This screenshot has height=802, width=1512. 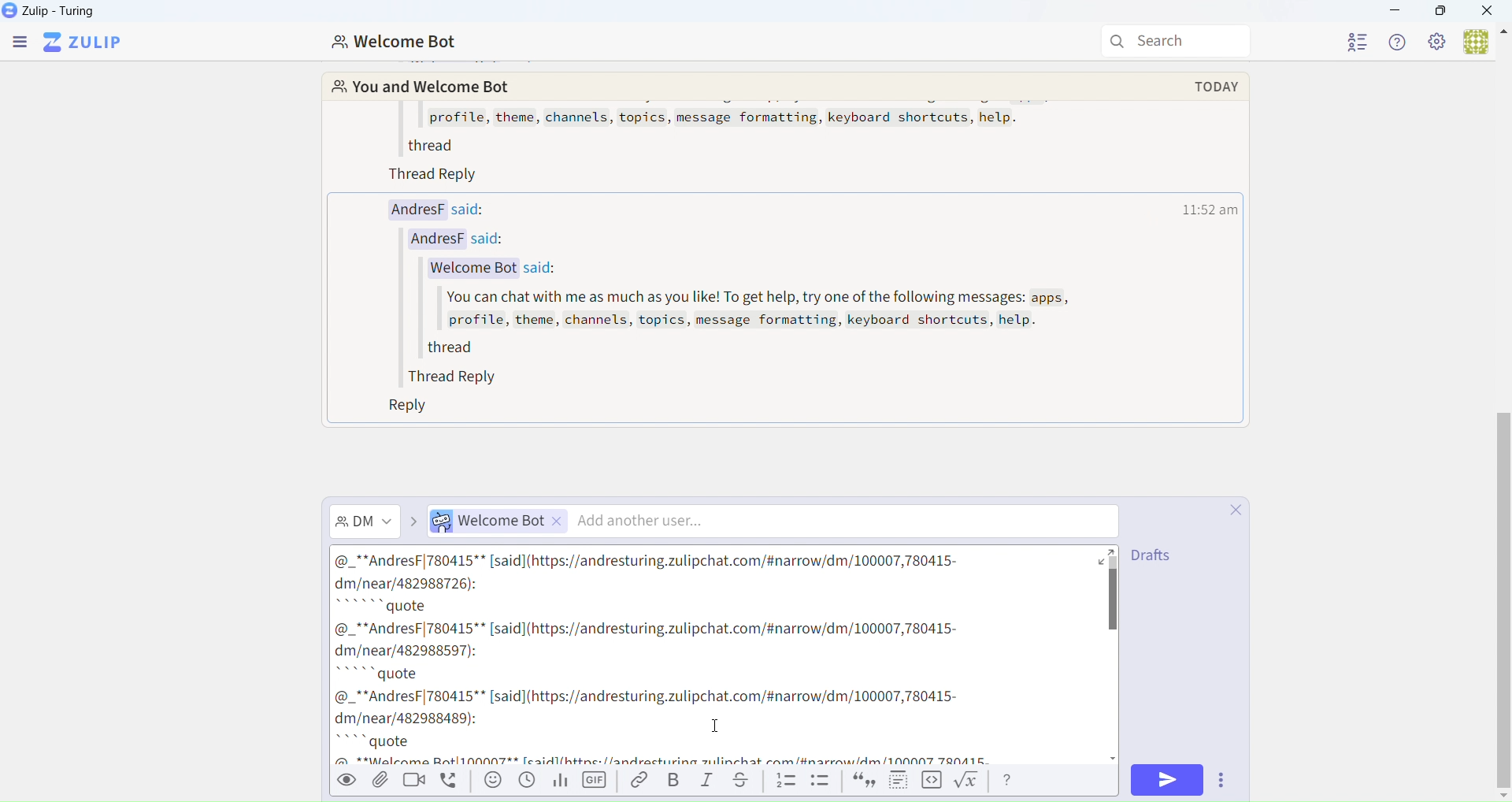 I want to click on Link, so click(x=636, y=781).